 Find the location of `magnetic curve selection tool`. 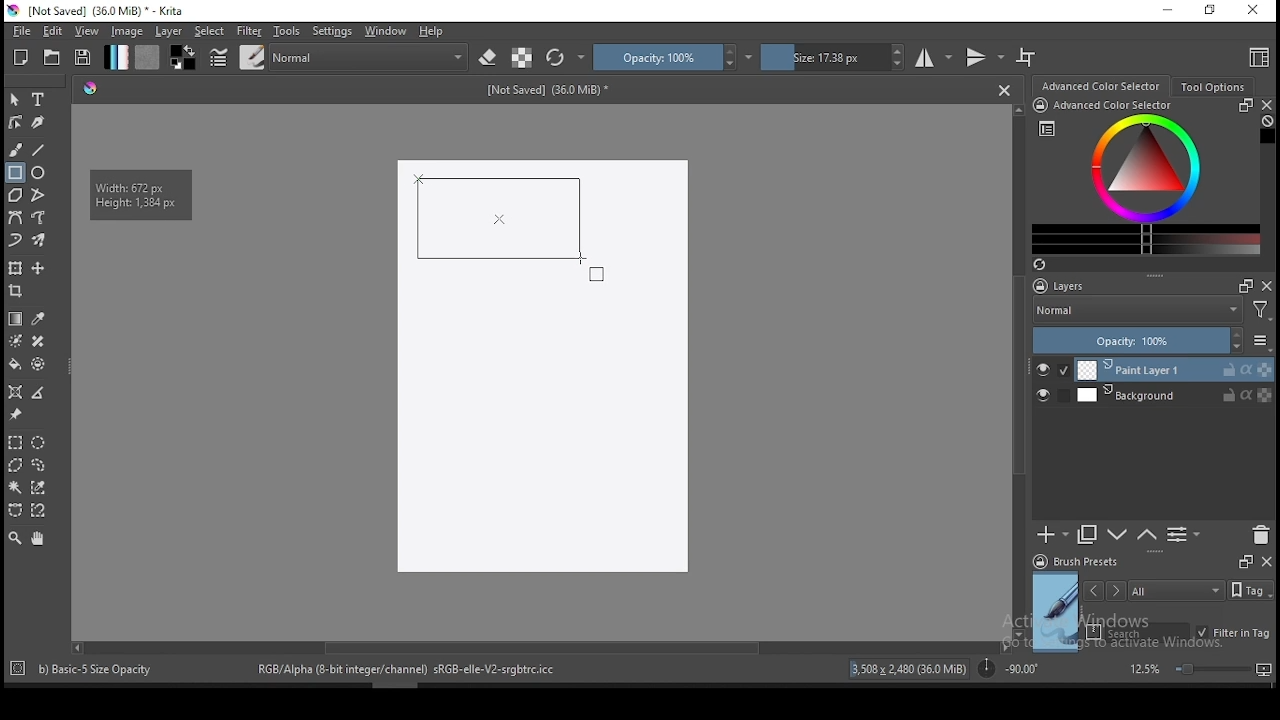

magnetic curve selection tool is located at coordinates (36, 510).